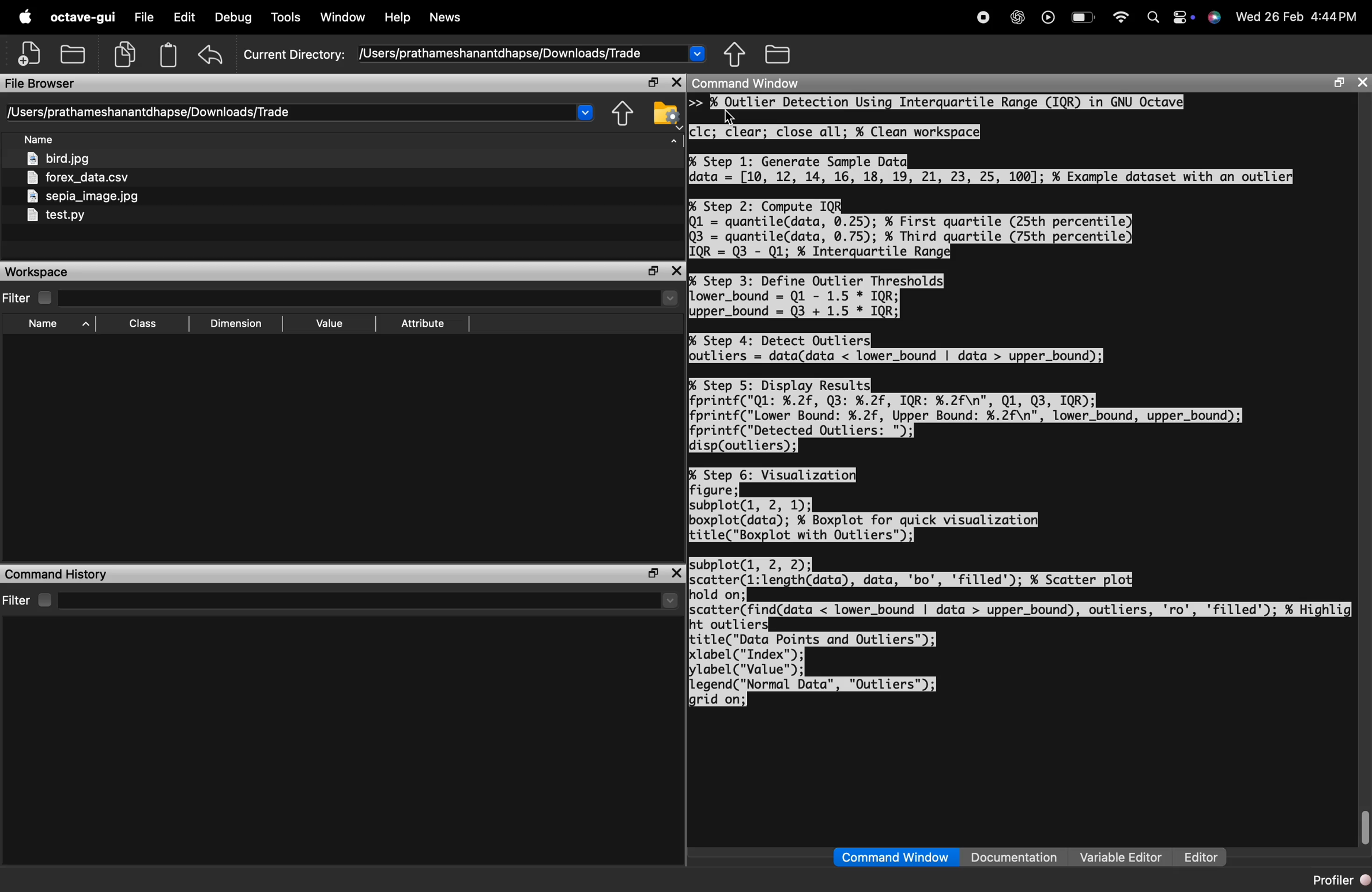 The image size is (1372, 892). Describe the element at coordinates (696, 52) in the screenshot. I see `Drop-down ` at that location.